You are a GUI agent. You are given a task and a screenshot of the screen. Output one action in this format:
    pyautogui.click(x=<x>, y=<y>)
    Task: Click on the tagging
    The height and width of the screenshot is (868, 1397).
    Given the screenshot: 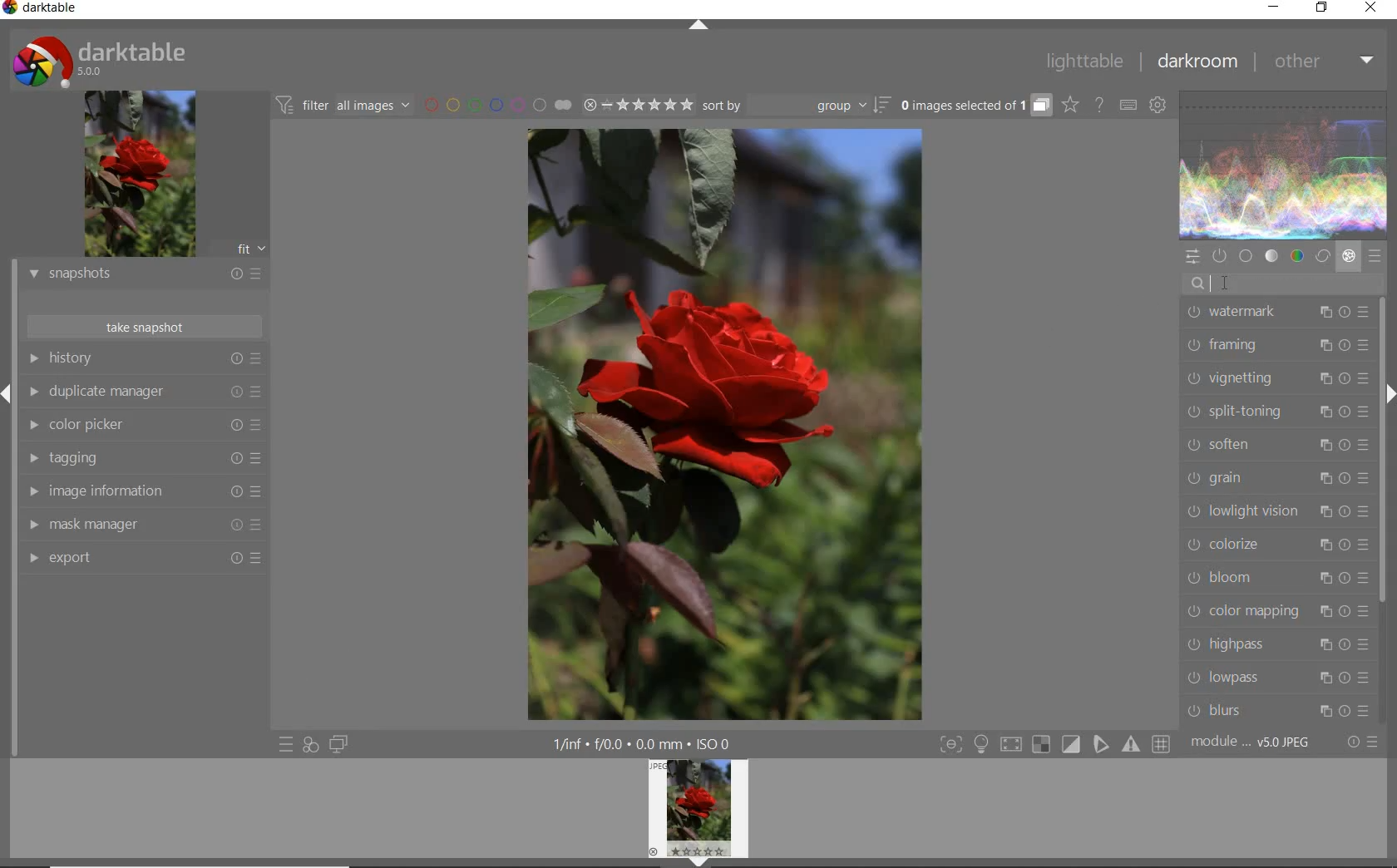 What is the action you would take?
    pyautogui.click(x=143, y=457)
    